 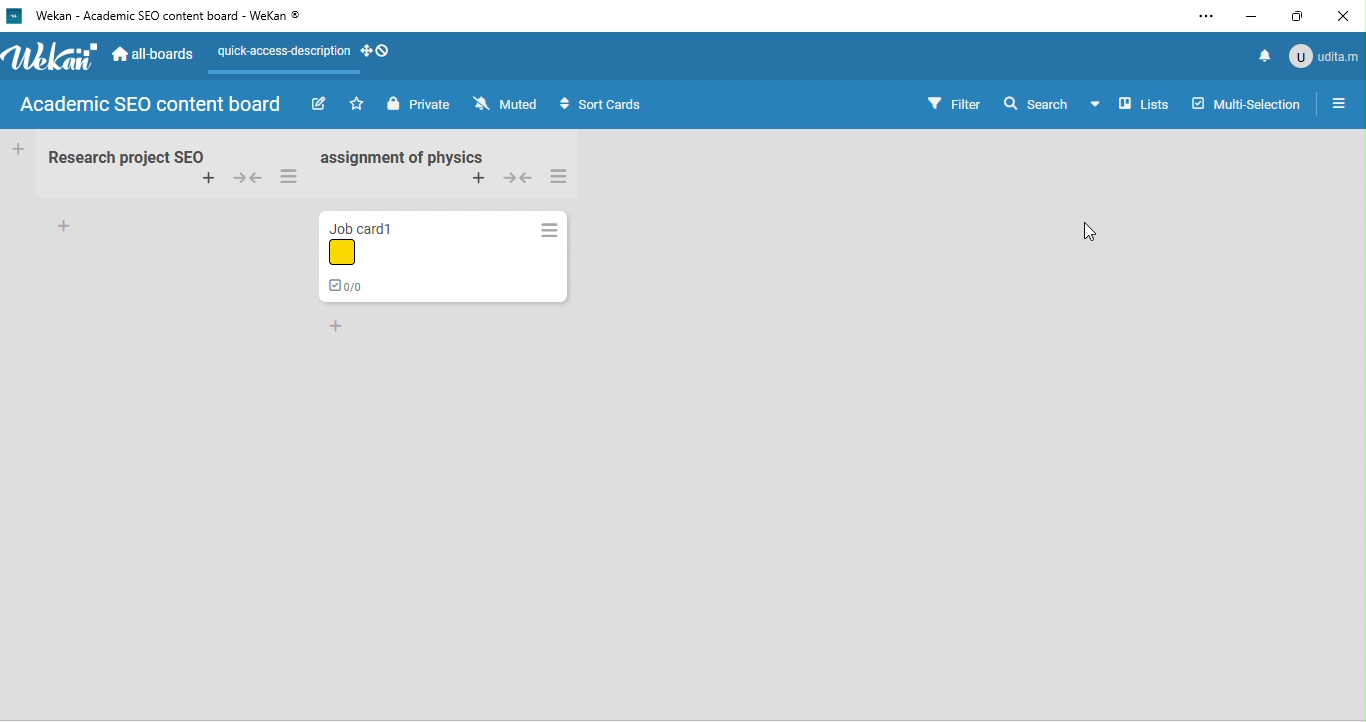 What do you see at coordinates (65, 227) in the screenshot?
I see `add` at bounding box center [65, 227].